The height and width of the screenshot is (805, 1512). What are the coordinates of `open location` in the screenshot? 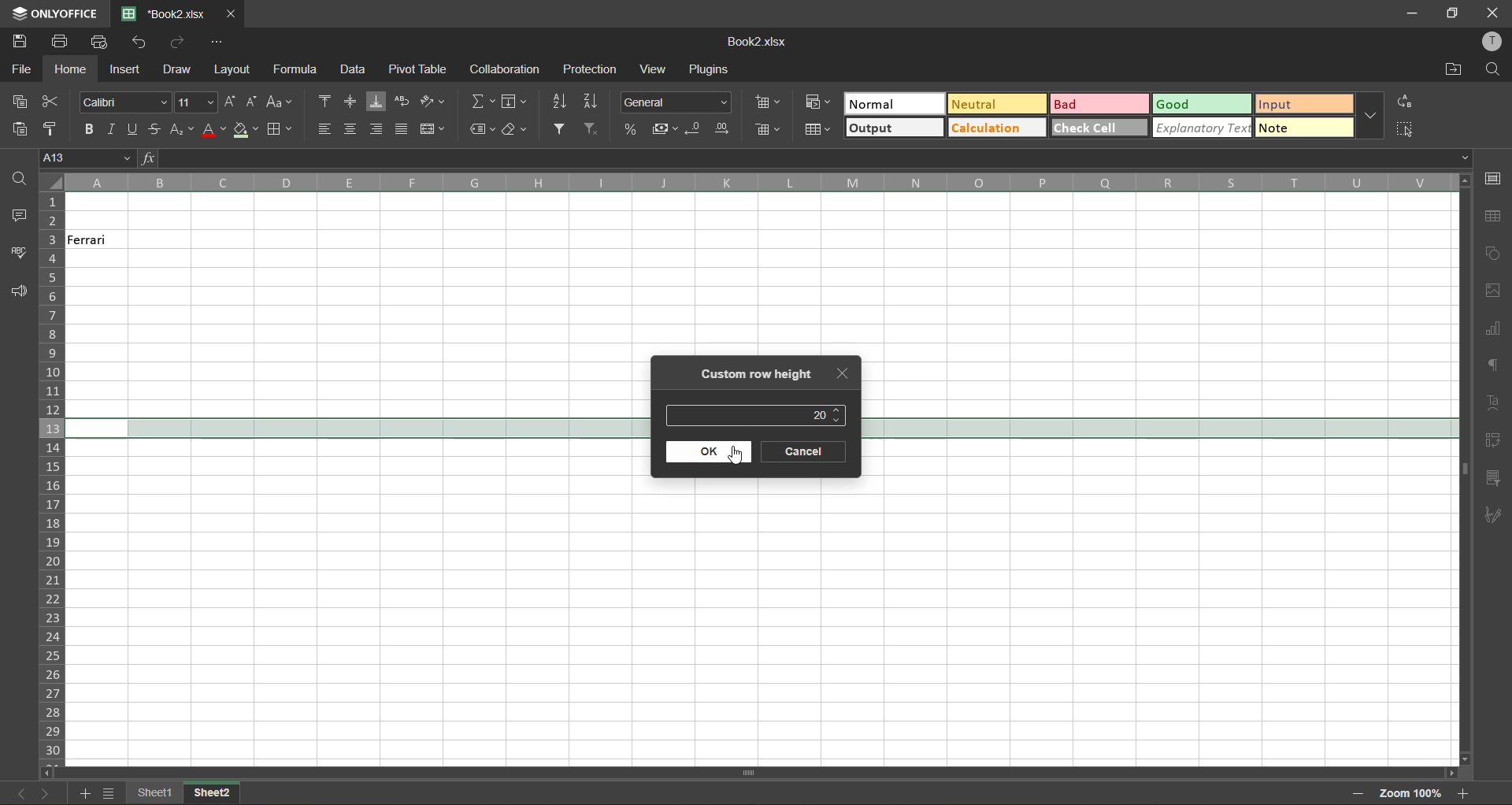 It's located at (1453, 72).